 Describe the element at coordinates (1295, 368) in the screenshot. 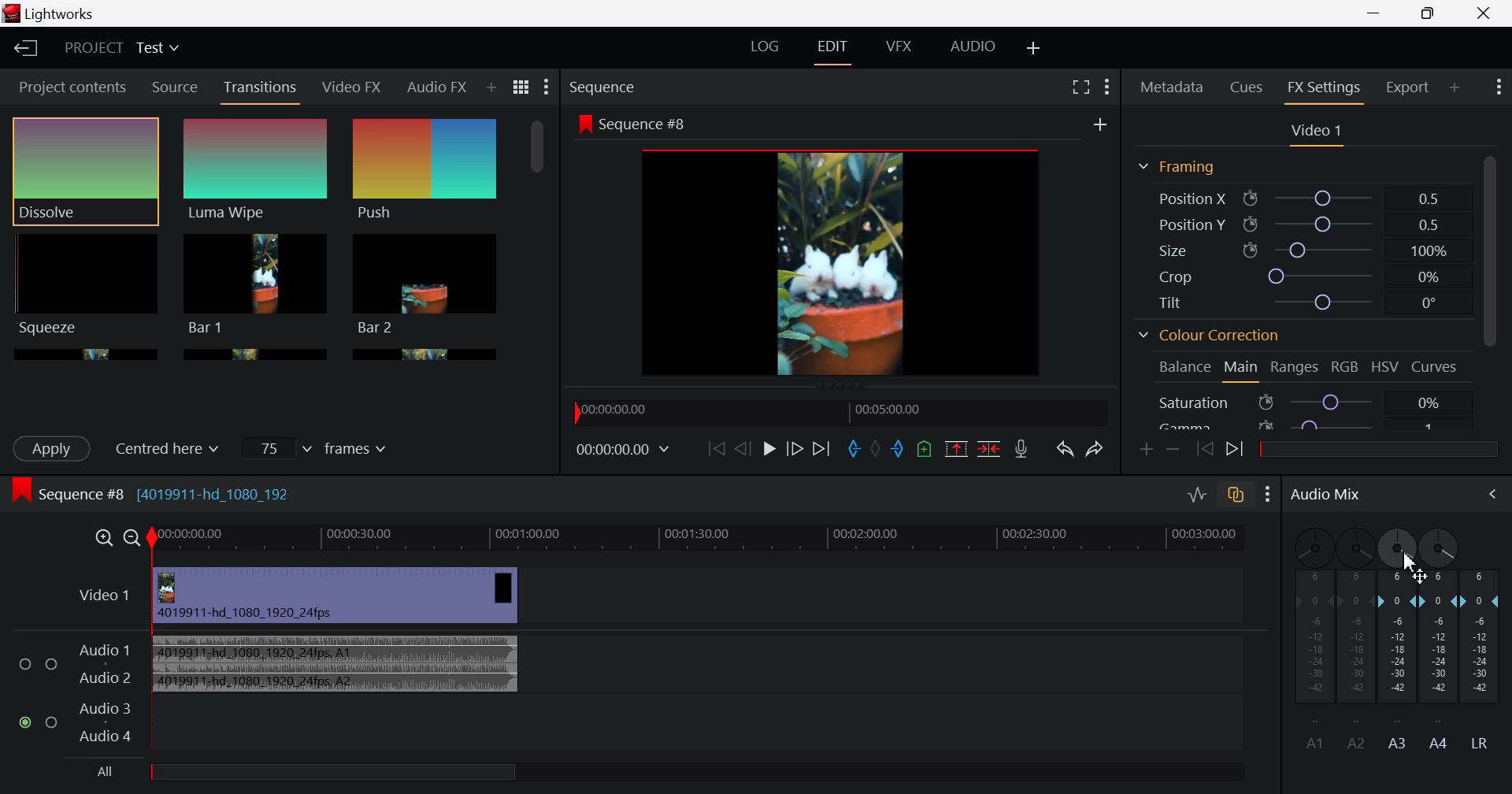

I see `Ranges` at that location.